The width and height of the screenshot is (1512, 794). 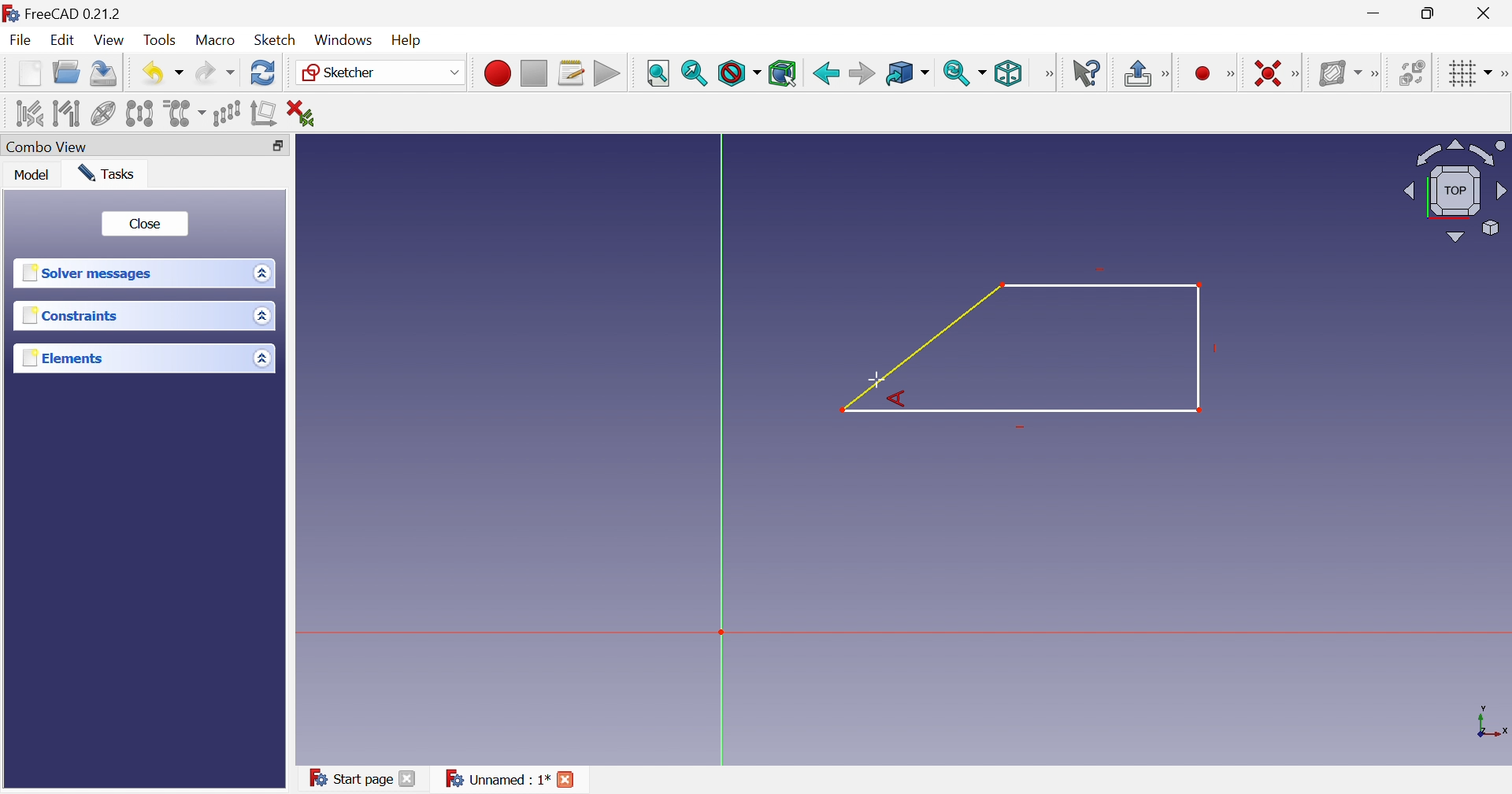 What do you see at coordinates (825, 72) in the screenshot?
I see `Back` at bounding box center [825, 72].